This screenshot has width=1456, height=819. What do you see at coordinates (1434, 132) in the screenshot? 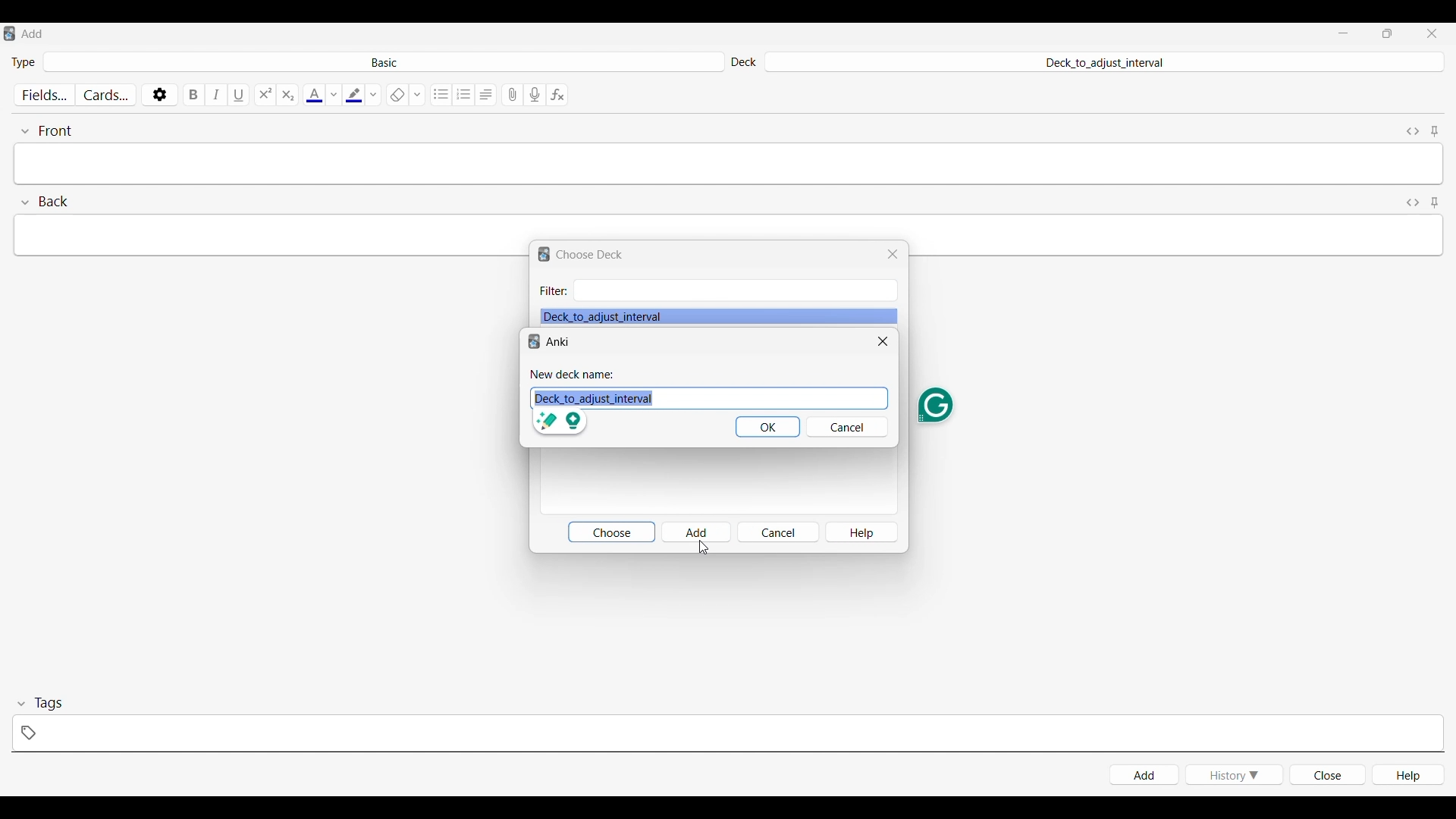
I see `Toggle sticky ` at bounding box center [1434, 132].